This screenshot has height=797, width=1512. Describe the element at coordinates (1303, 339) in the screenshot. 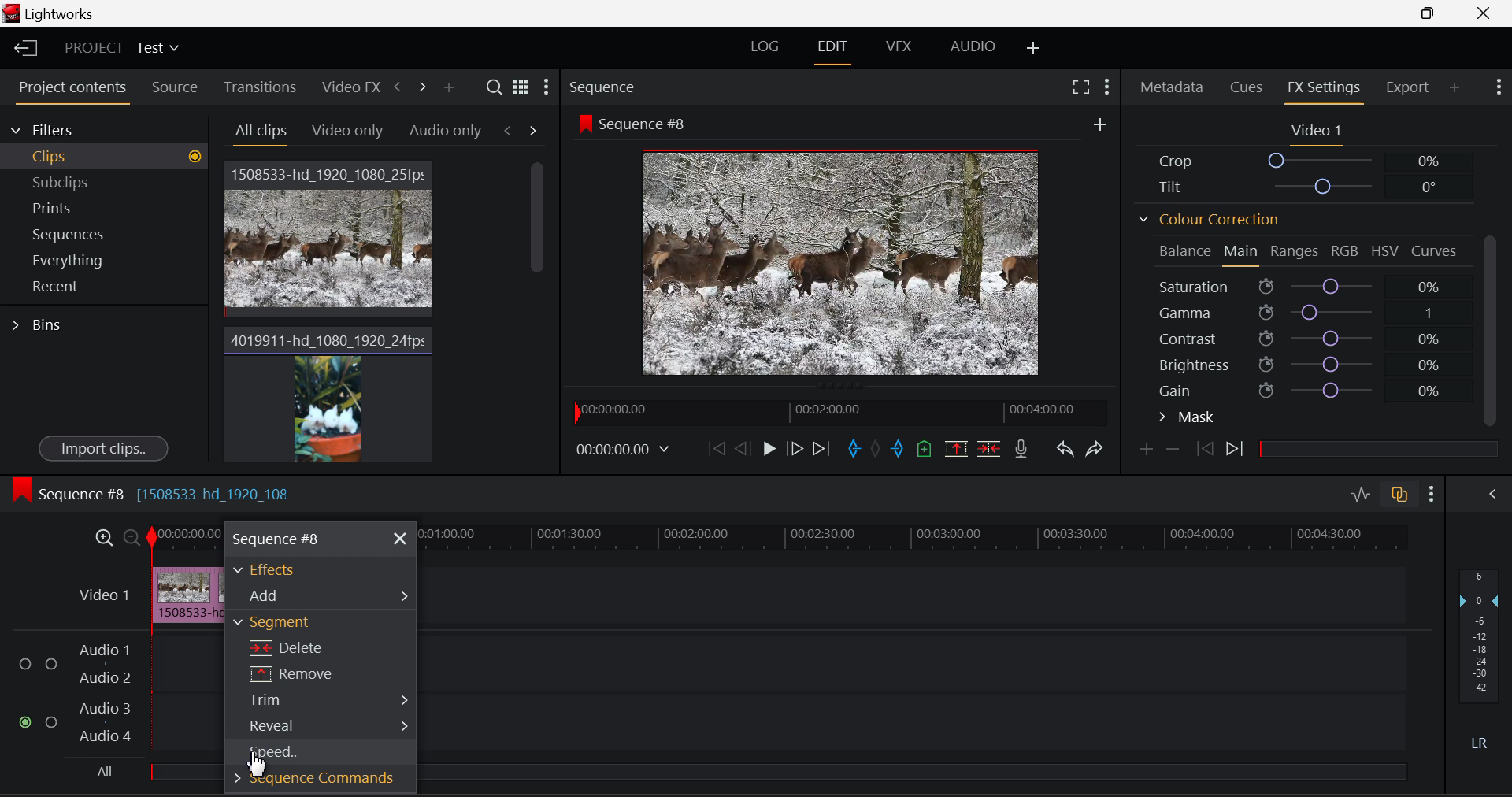

I see `Contrast` at that location.